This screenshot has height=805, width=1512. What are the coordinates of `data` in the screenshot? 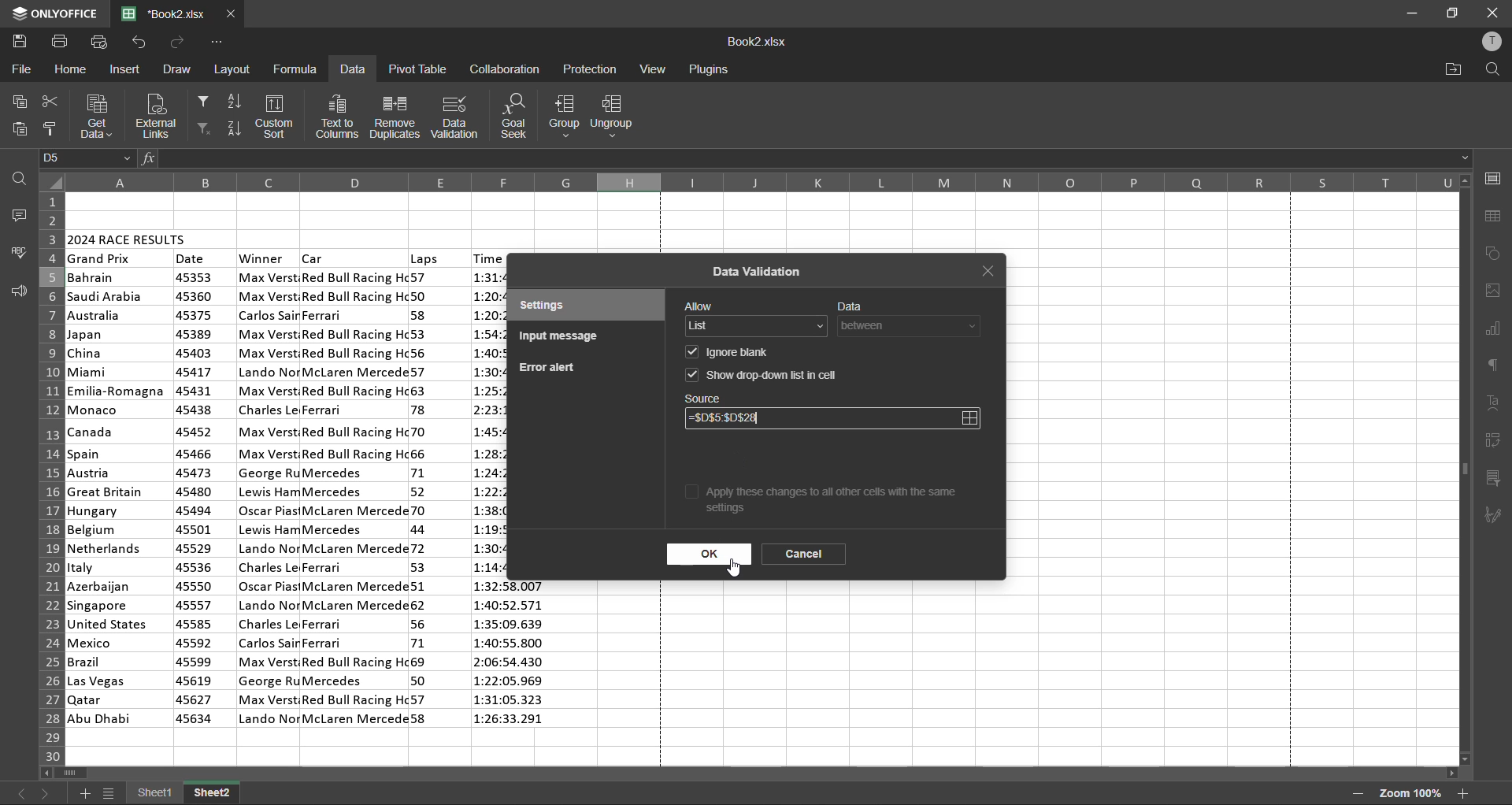 It's located at (913, 327).